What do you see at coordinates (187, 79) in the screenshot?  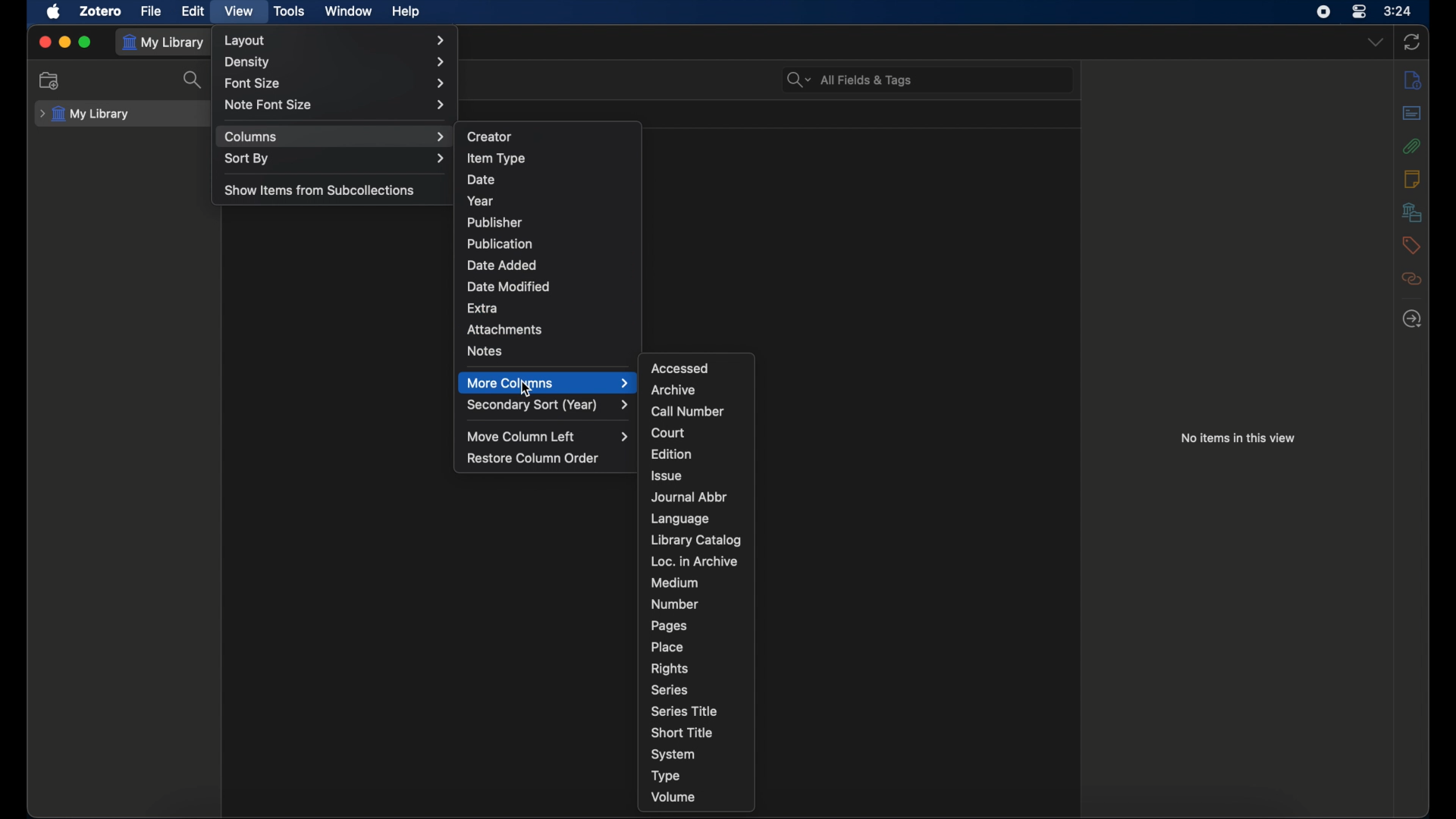 I see `search` at bounding box center [187, 79].